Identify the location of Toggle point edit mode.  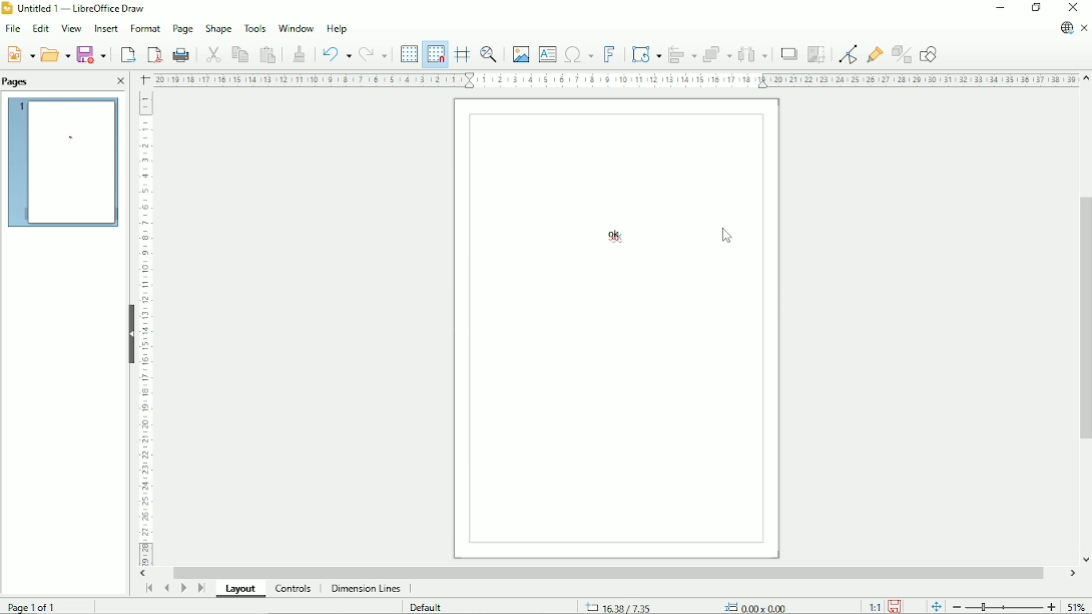
(848, 55).